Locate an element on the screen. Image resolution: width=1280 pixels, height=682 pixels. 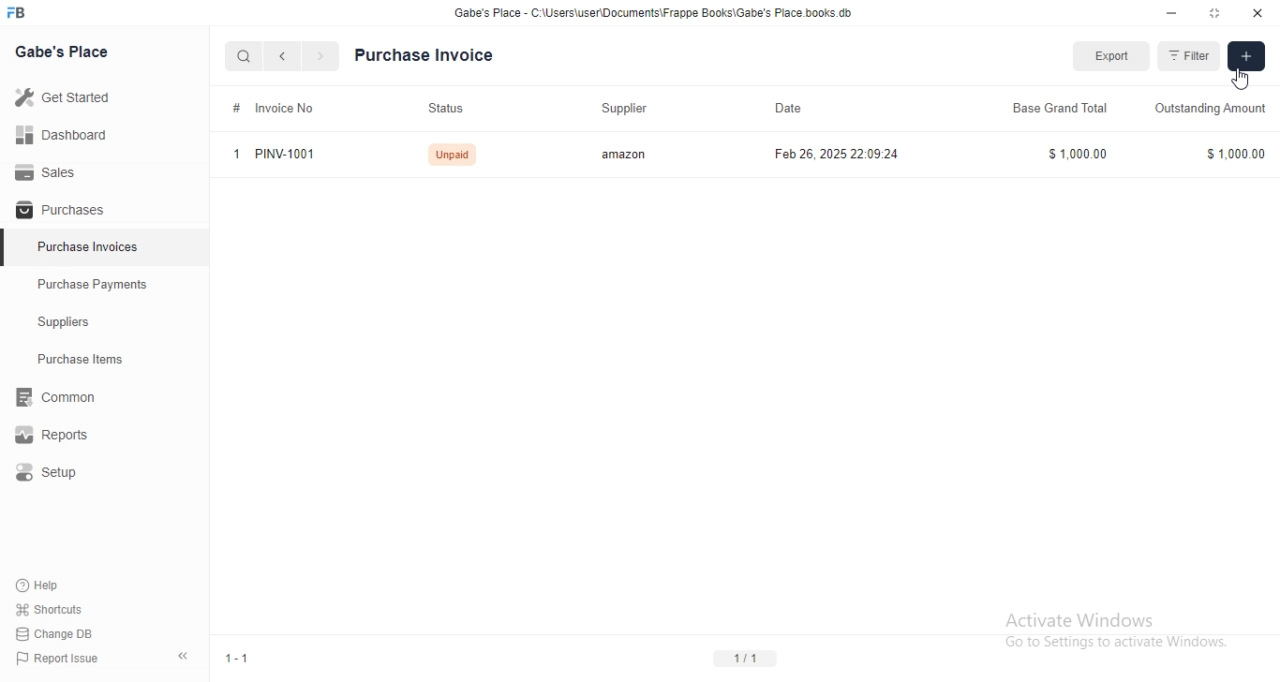
$1,000.00 is located at coordinates (1235, 154).